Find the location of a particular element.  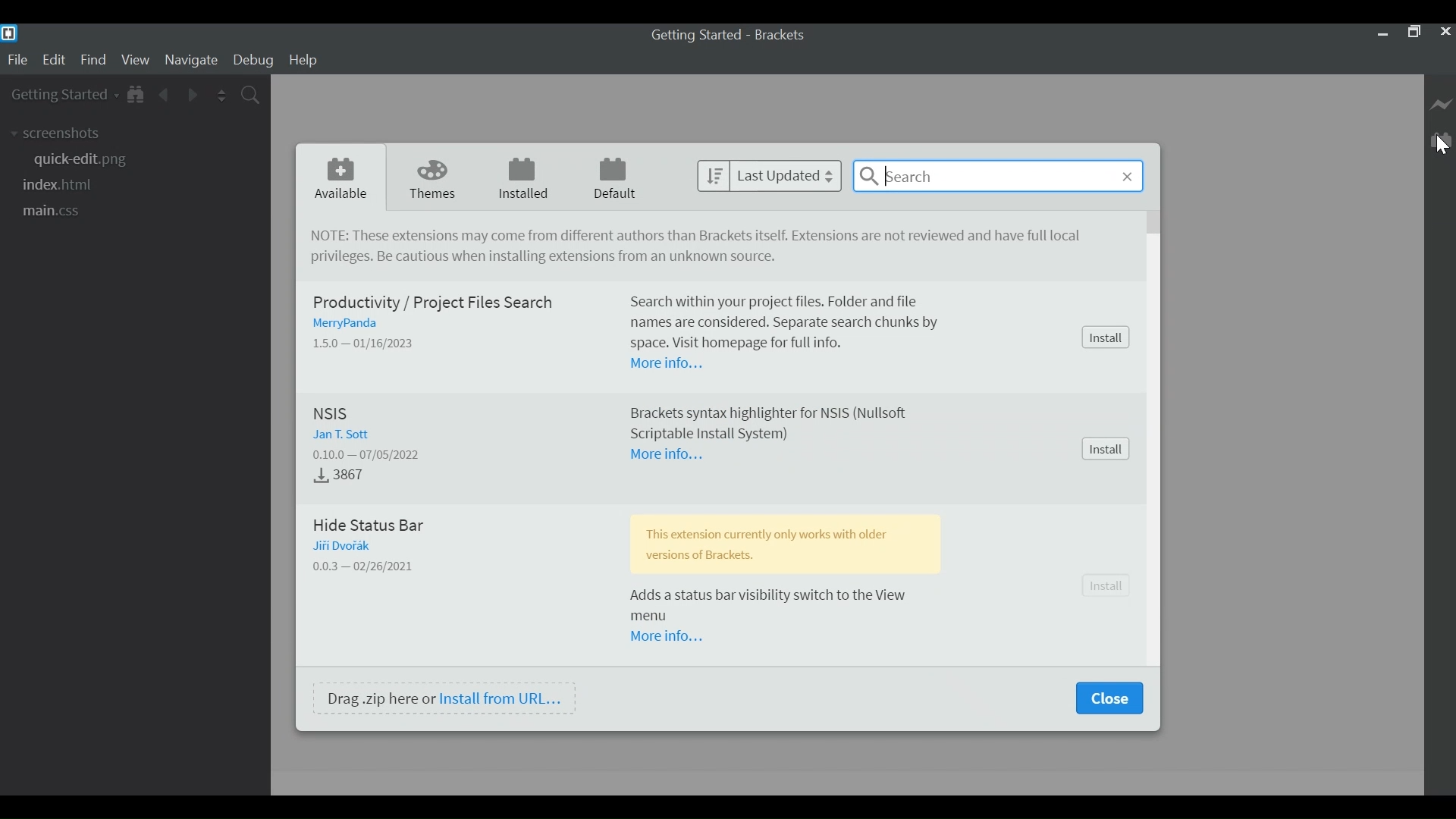

Available is located at coordinates (342, 176).